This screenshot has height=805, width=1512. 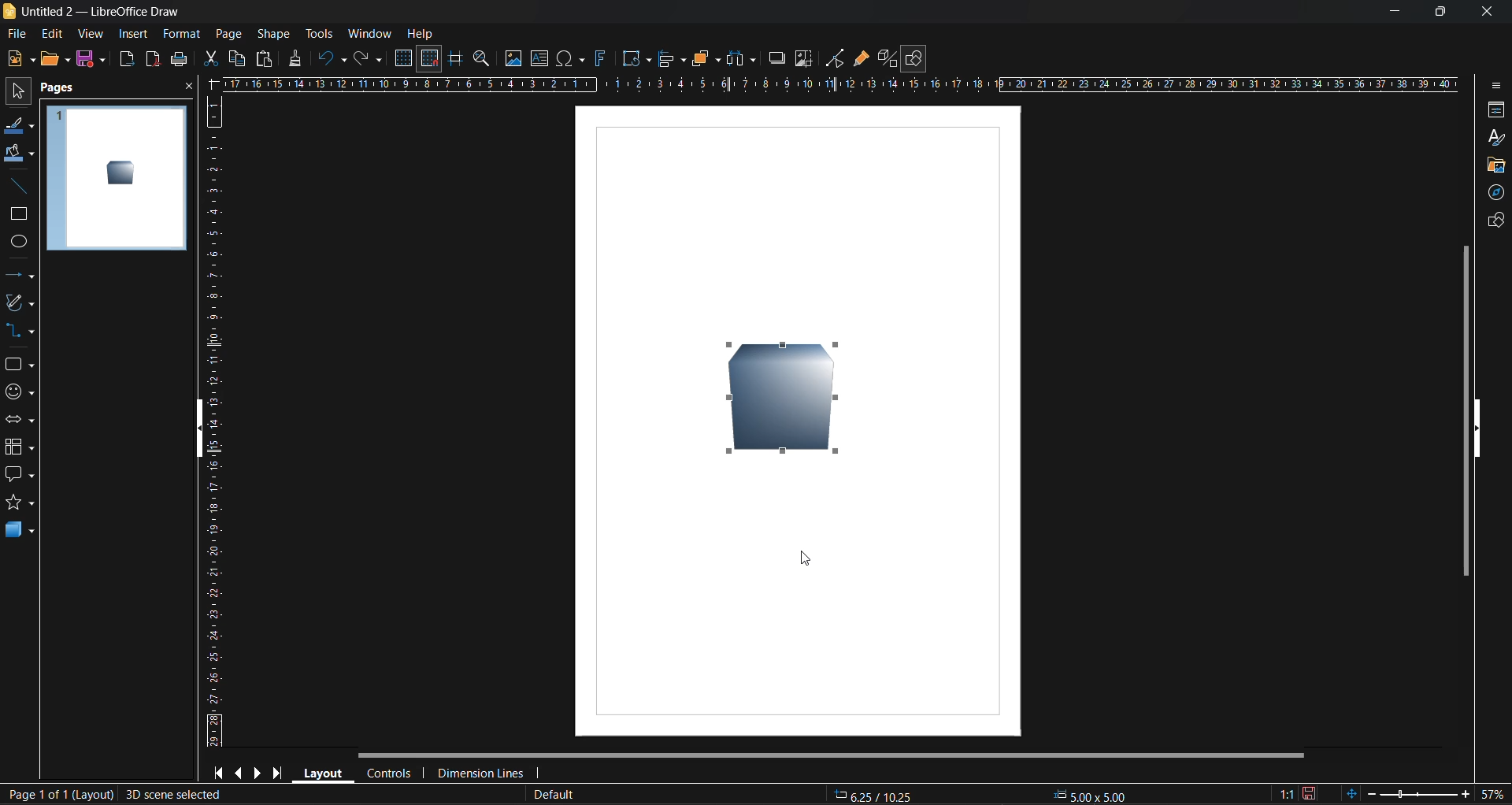 What do you see at coordinates (296, 58) in the screenshot?
I see `clone formatting` at bounding box center [296, 58].